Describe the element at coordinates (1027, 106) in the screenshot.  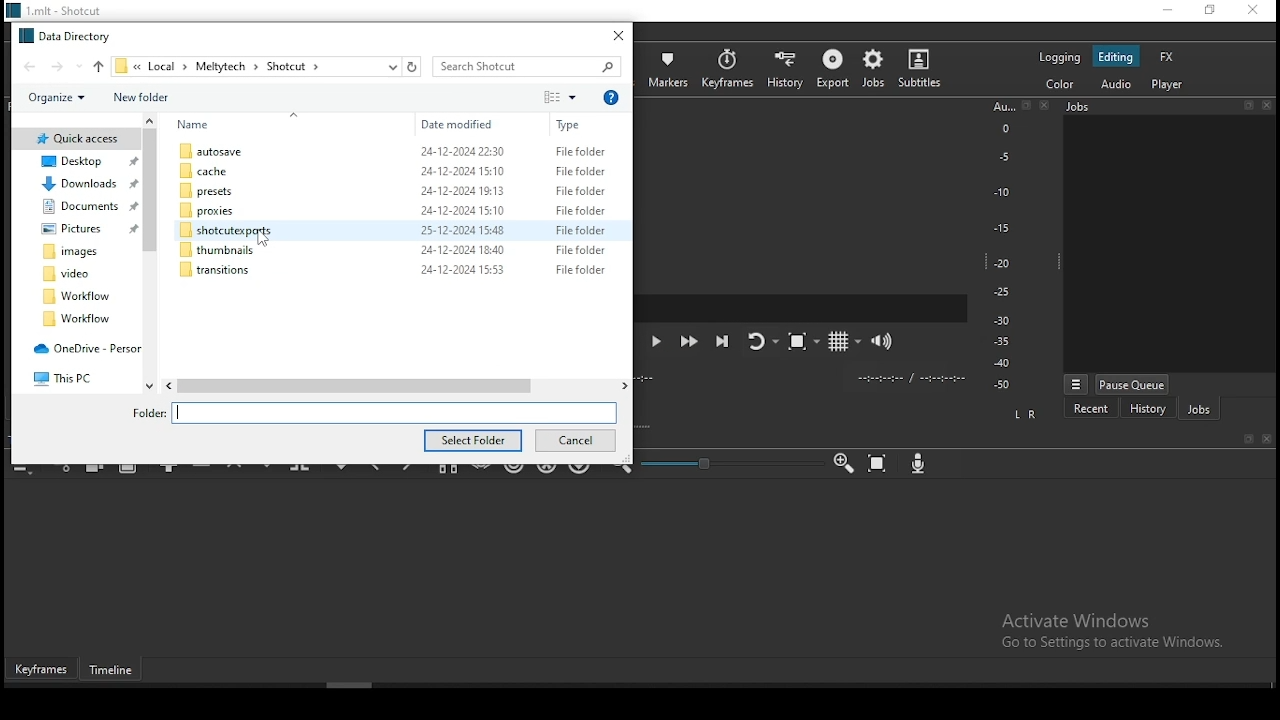
I see `Bookmark` at that location.